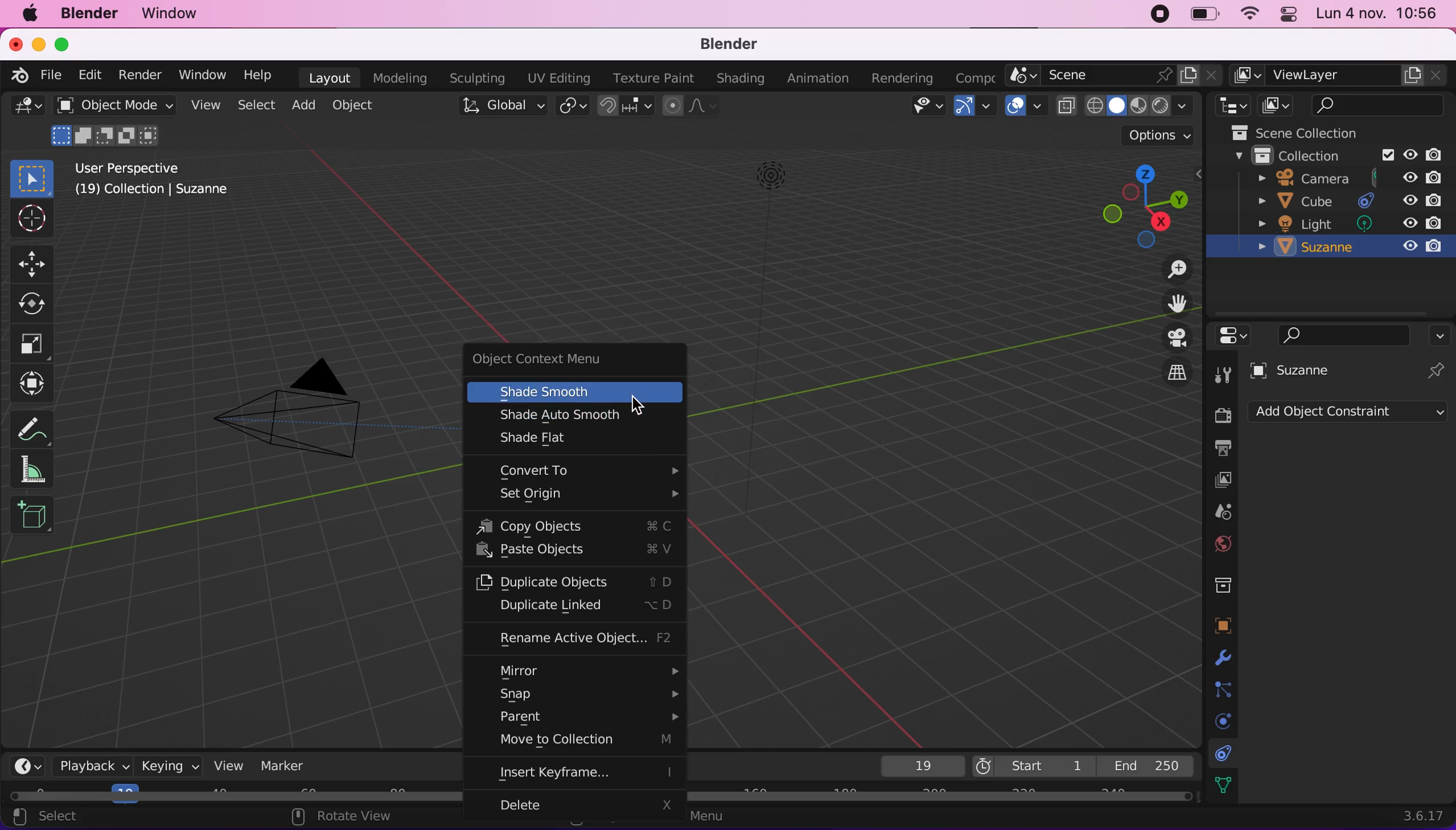 This screenshot has width=1456, height=830. I want to click on Add layer, so click(1413, 75).